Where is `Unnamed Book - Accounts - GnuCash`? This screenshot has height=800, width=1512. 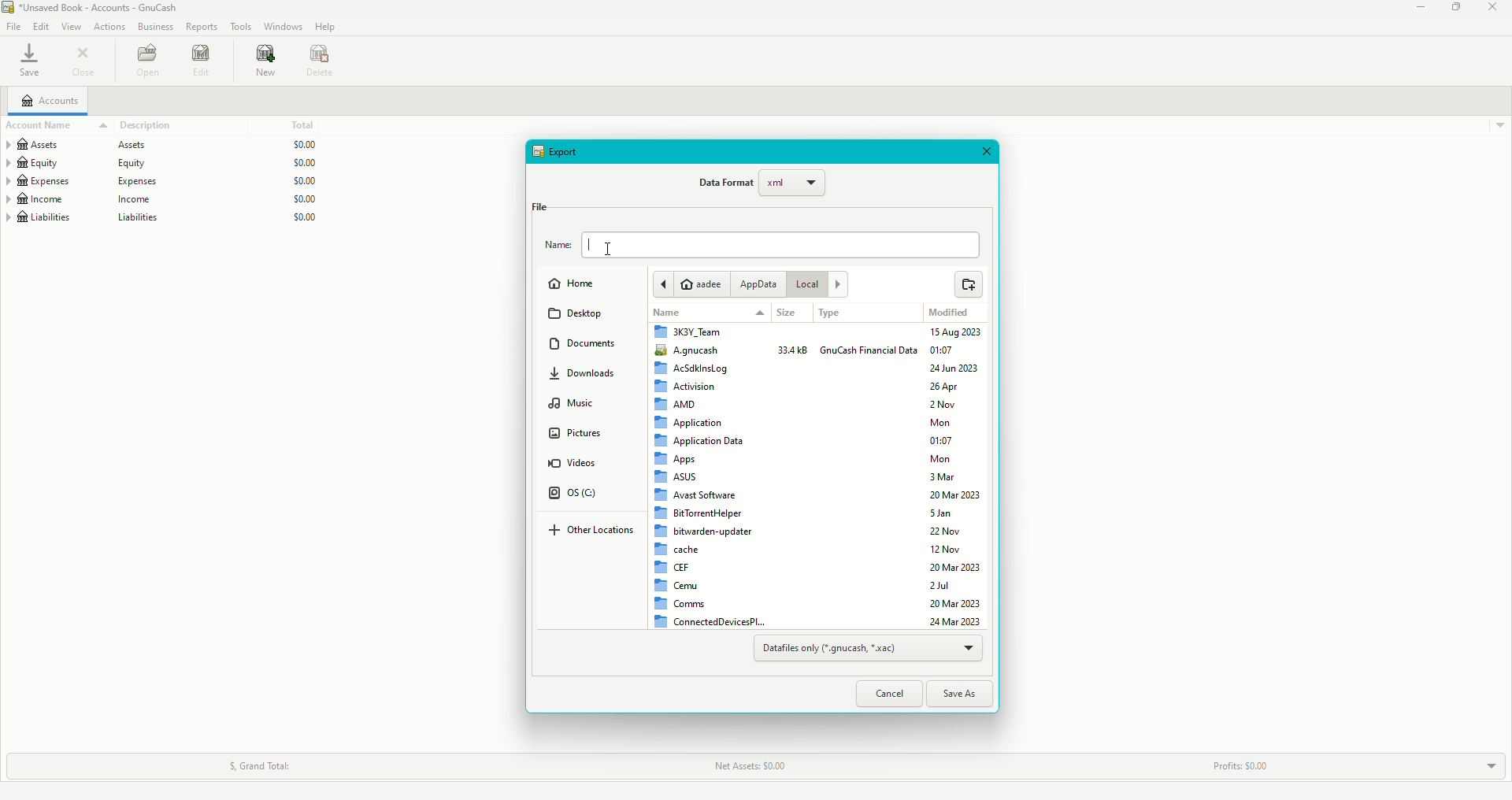 Unnamed Book - Accounts - GnuCash is located at coordinates (95, 8).